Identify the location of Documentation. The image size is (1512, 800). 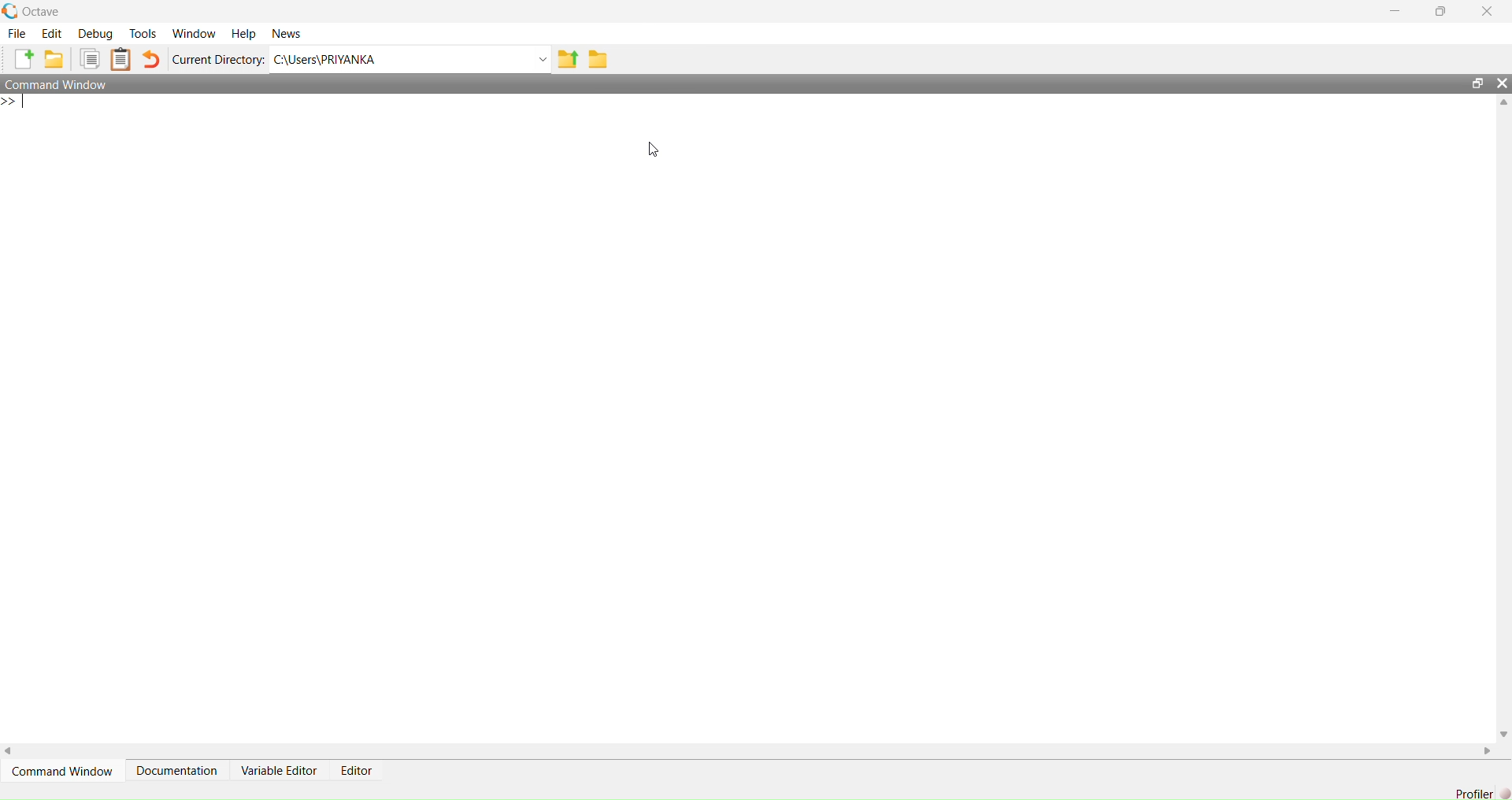
(175, 770).